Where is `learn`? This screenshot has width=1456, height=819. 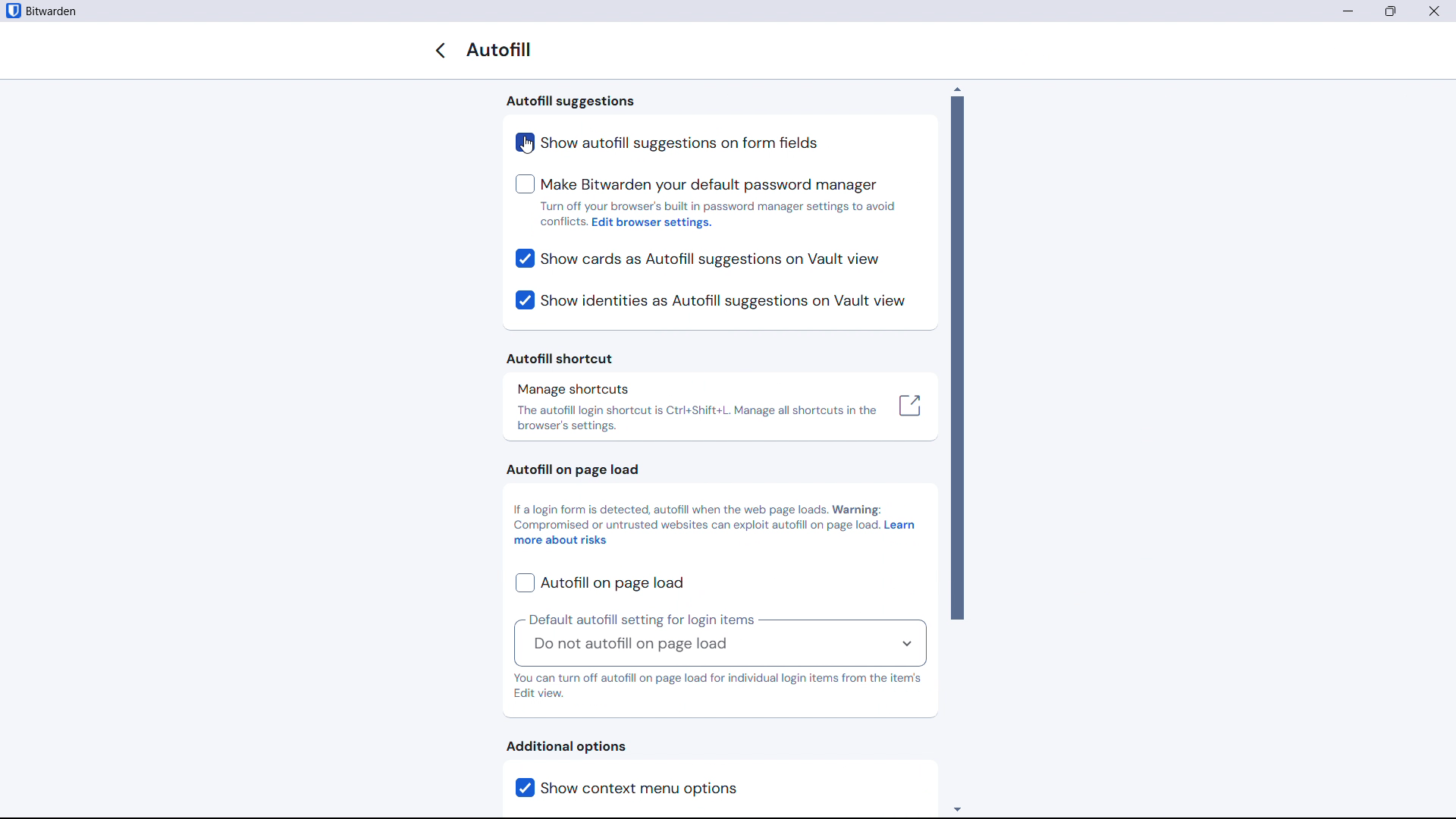 learn is located at coordinates (900, 526).